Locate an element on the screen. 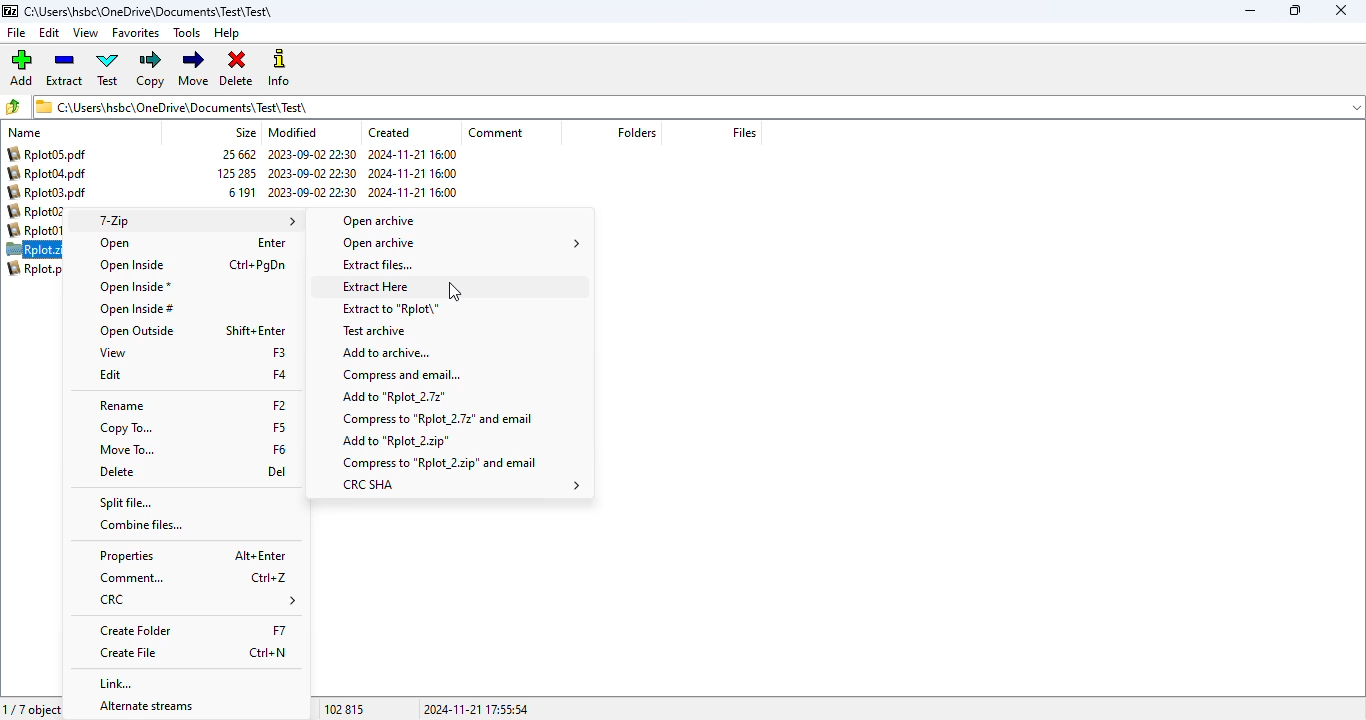 The height and width of the screenshot is (720, 1366). Create folder is located at coordinates (137, 631).